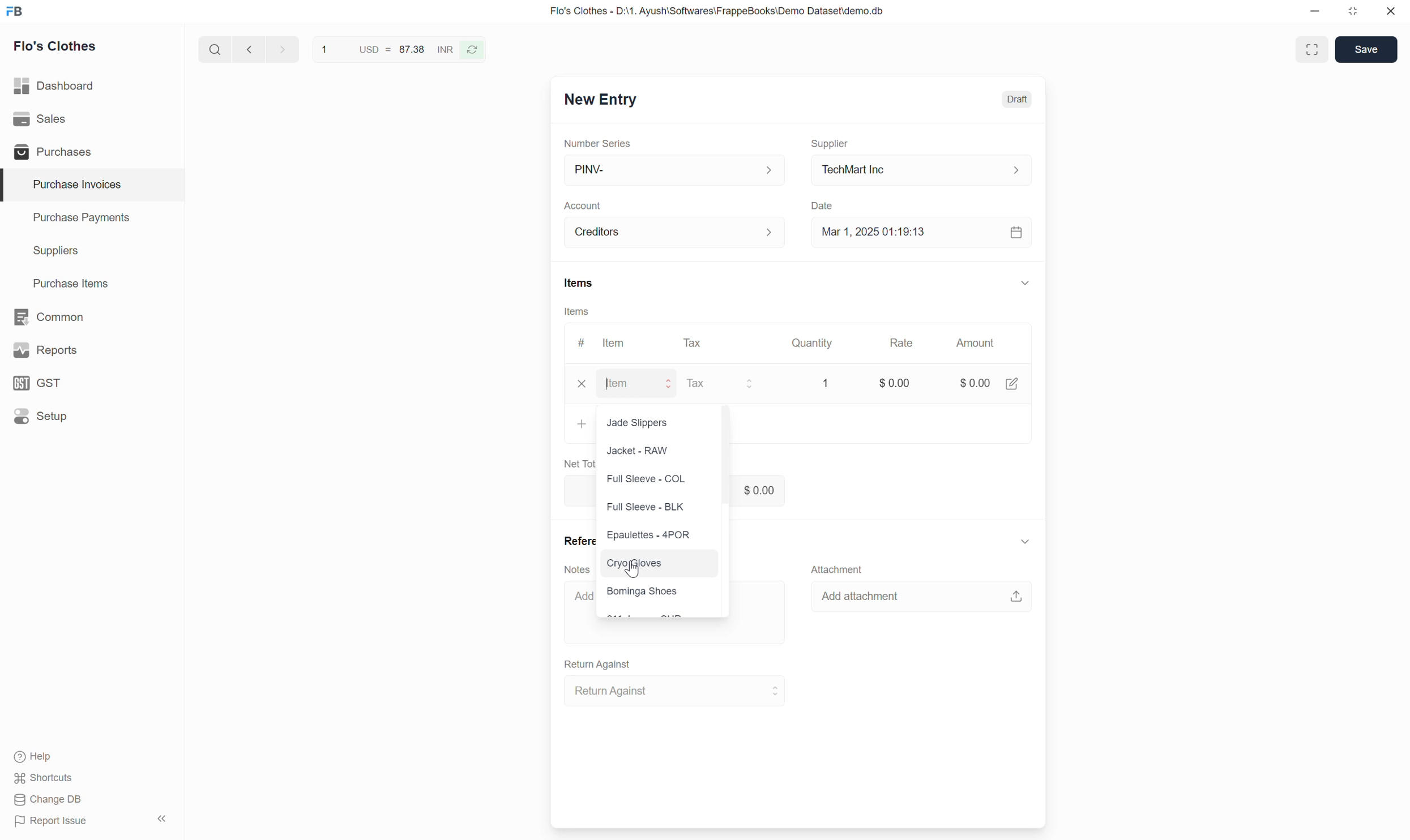 The width and height of the screenshot is (1410, 840). What do you see at coordinates (84, 217) in the screenshot?
I see `Purchase Payments` at bounding box center [84, 217].